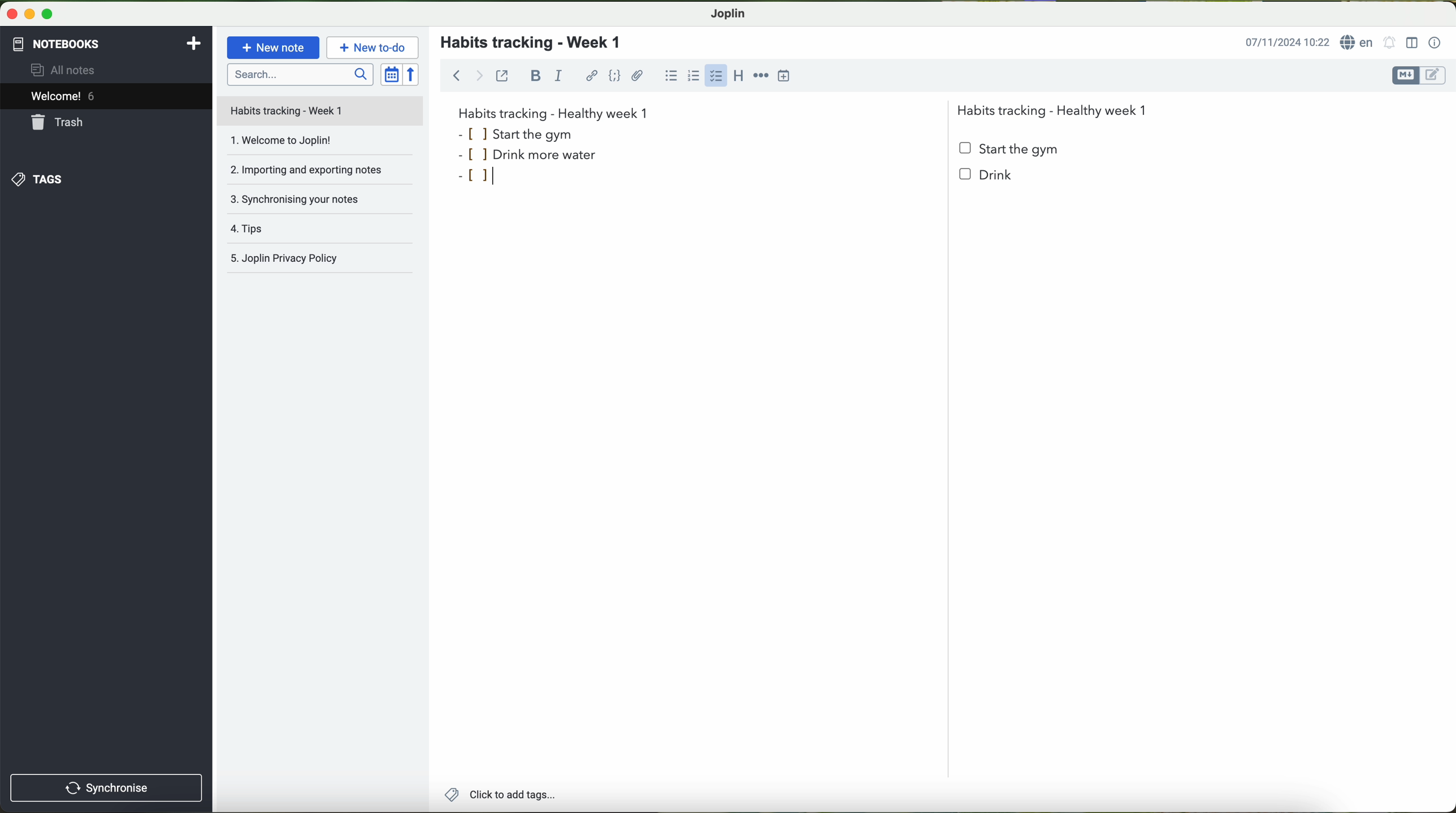 This screenshot has height=813, width=1456. I want to click on habits tracking week 1, so click(553, 112).